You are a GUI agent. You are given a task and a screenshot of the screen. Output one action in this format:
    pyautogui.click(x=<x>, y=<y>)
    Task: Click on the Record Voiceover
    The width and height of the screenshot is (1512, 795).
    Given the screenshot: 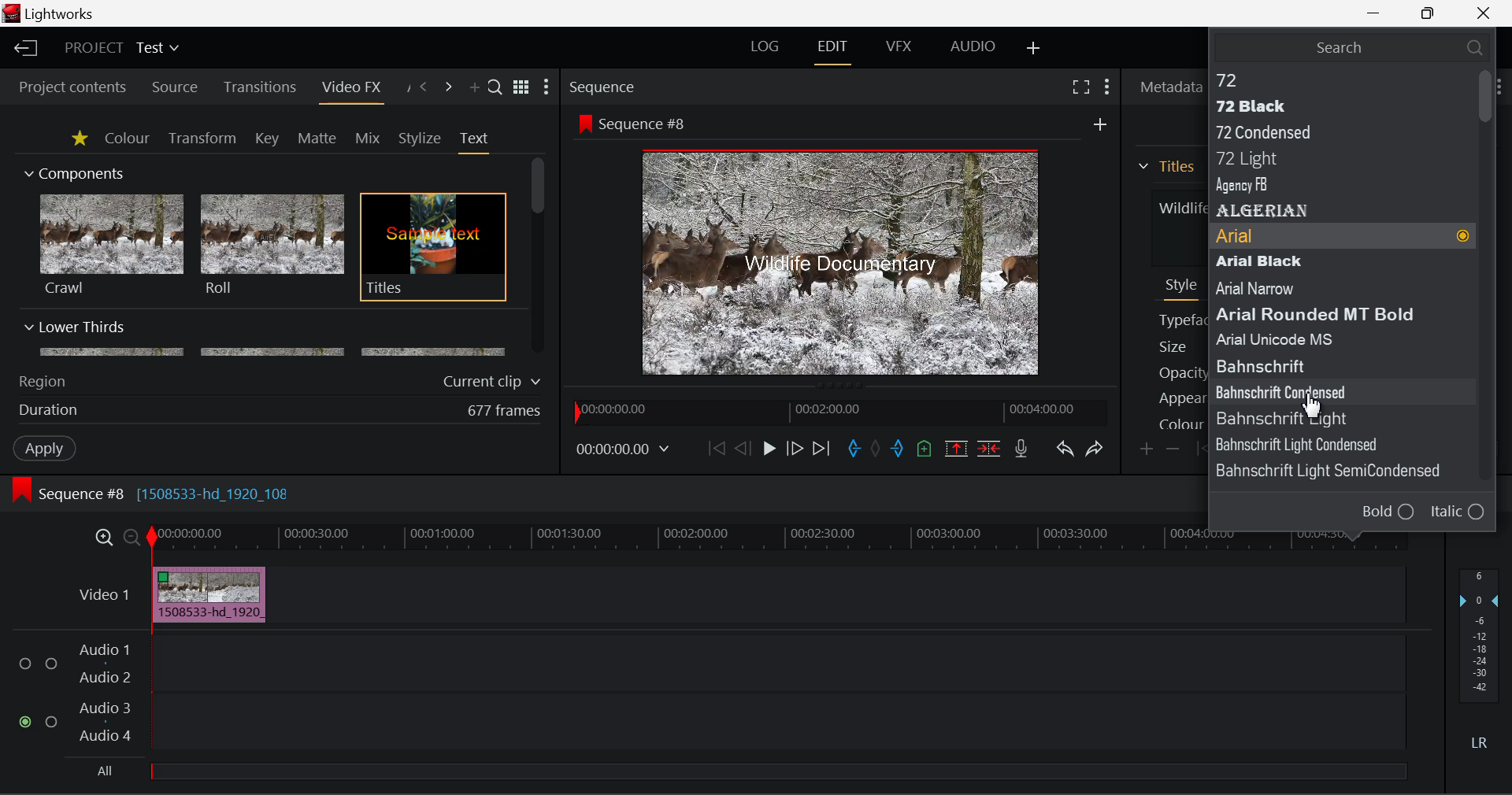 What is the action you would take?
    pyautogui.click(x=1021, y=452)
    